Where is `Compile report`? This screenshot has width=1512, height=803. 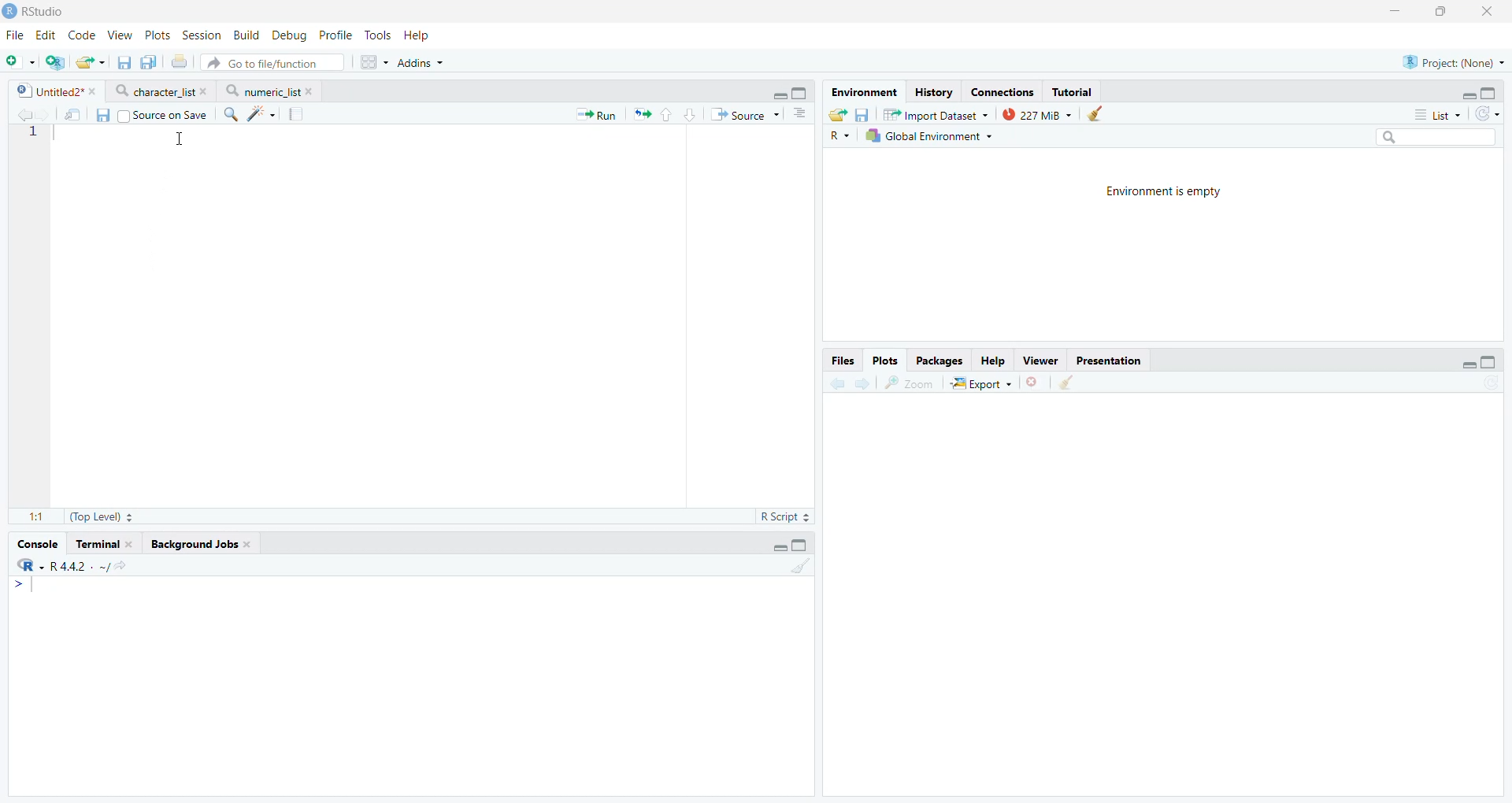
Compile report is located at coordinates (298, 113).